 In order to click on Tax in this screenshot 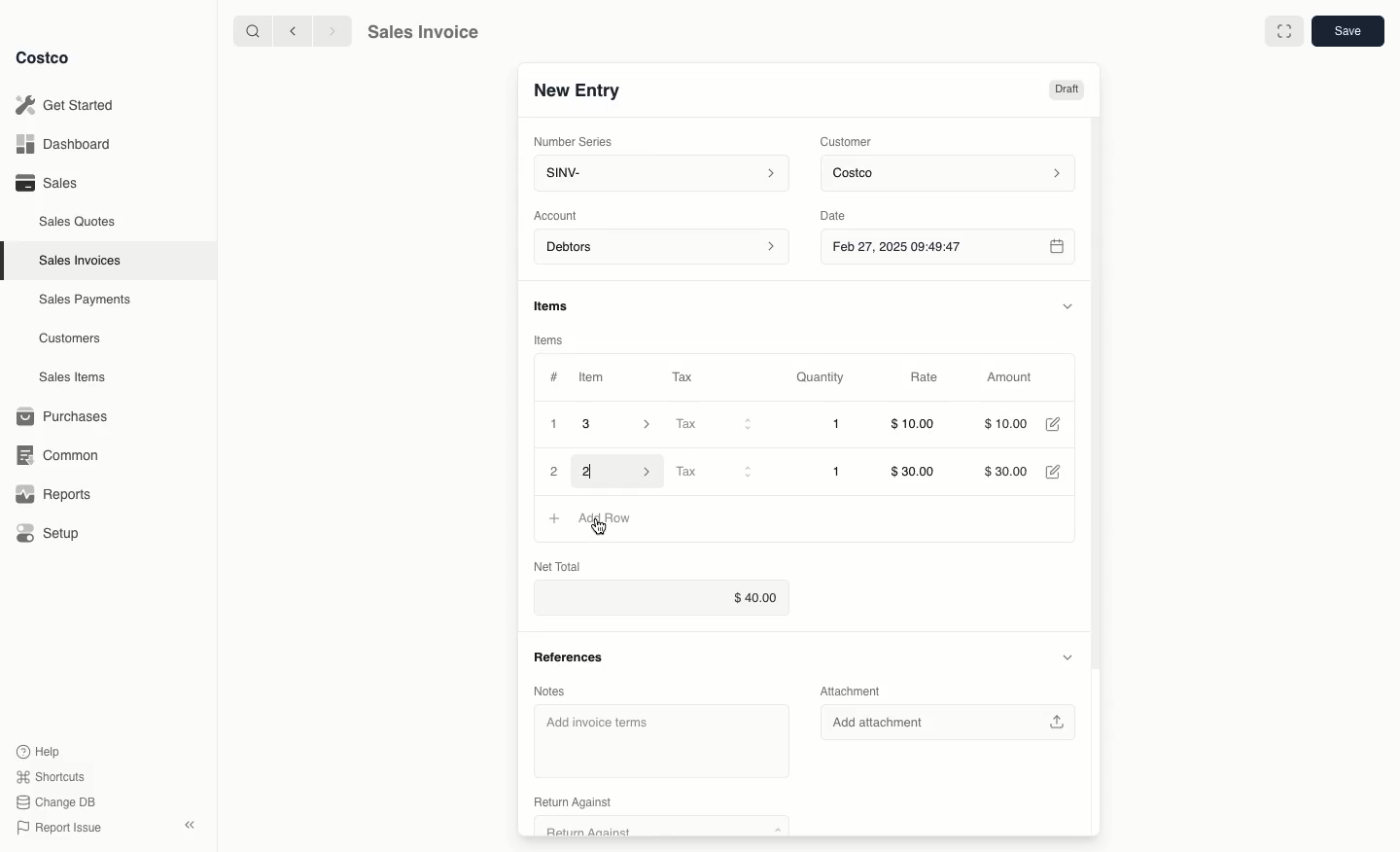, I will do `click(713, 425)`.